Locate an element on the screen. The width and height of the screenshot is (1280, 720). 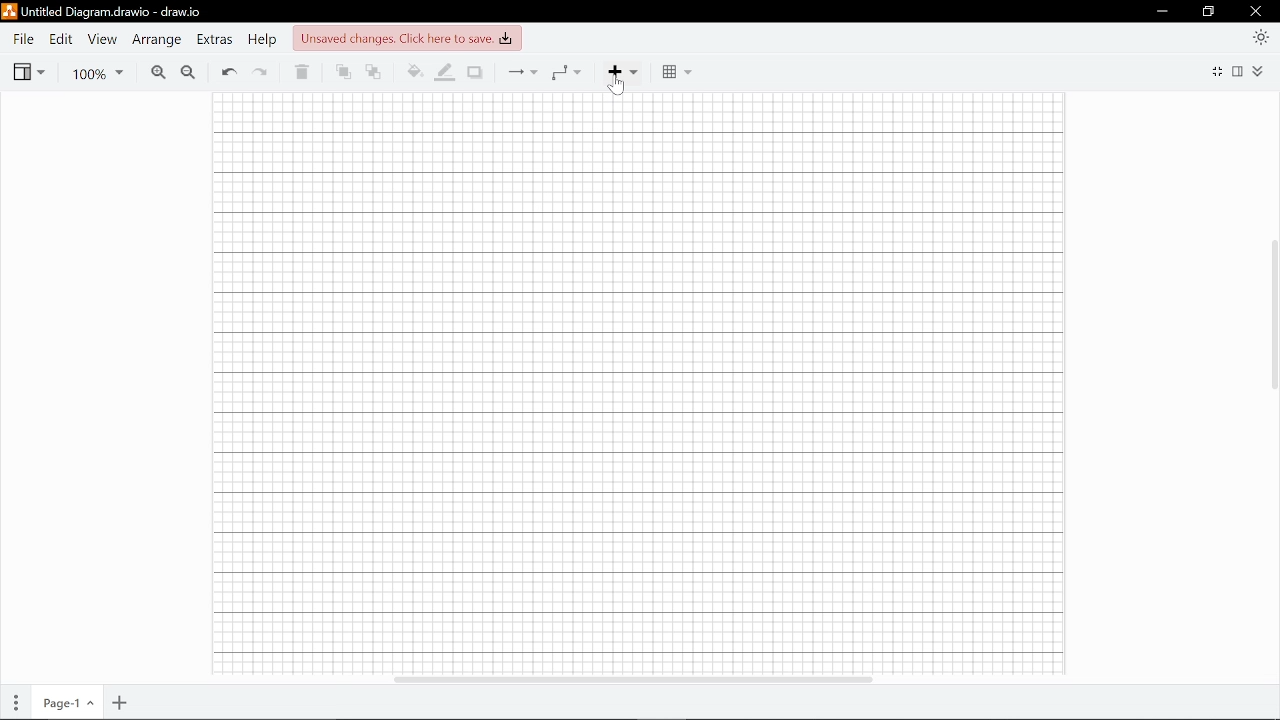
Fill color is located at coordinates (414, 71).